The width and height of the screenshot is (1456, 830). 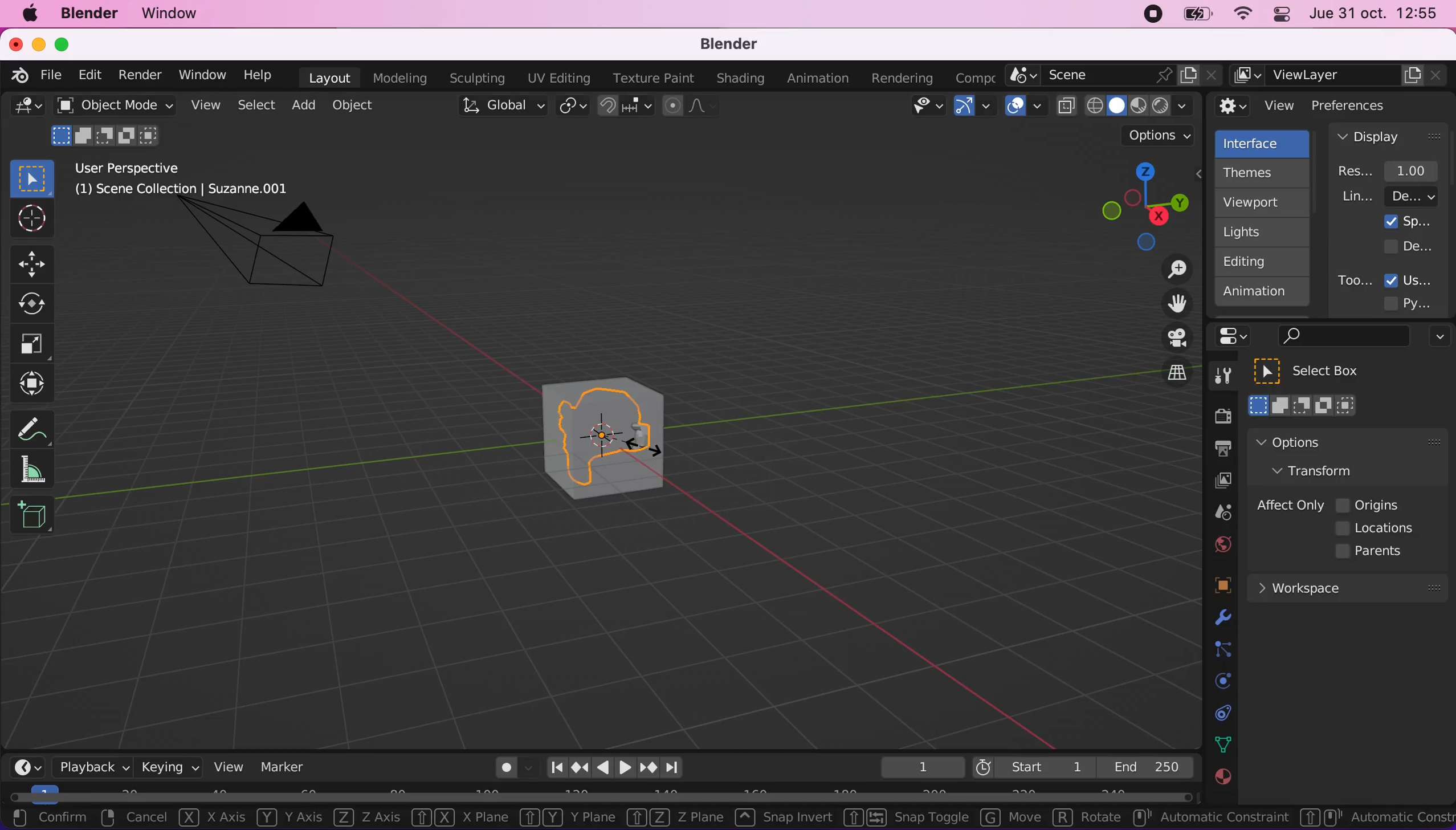 I want to click on automatic constraint, so click(x=1376, y=817).